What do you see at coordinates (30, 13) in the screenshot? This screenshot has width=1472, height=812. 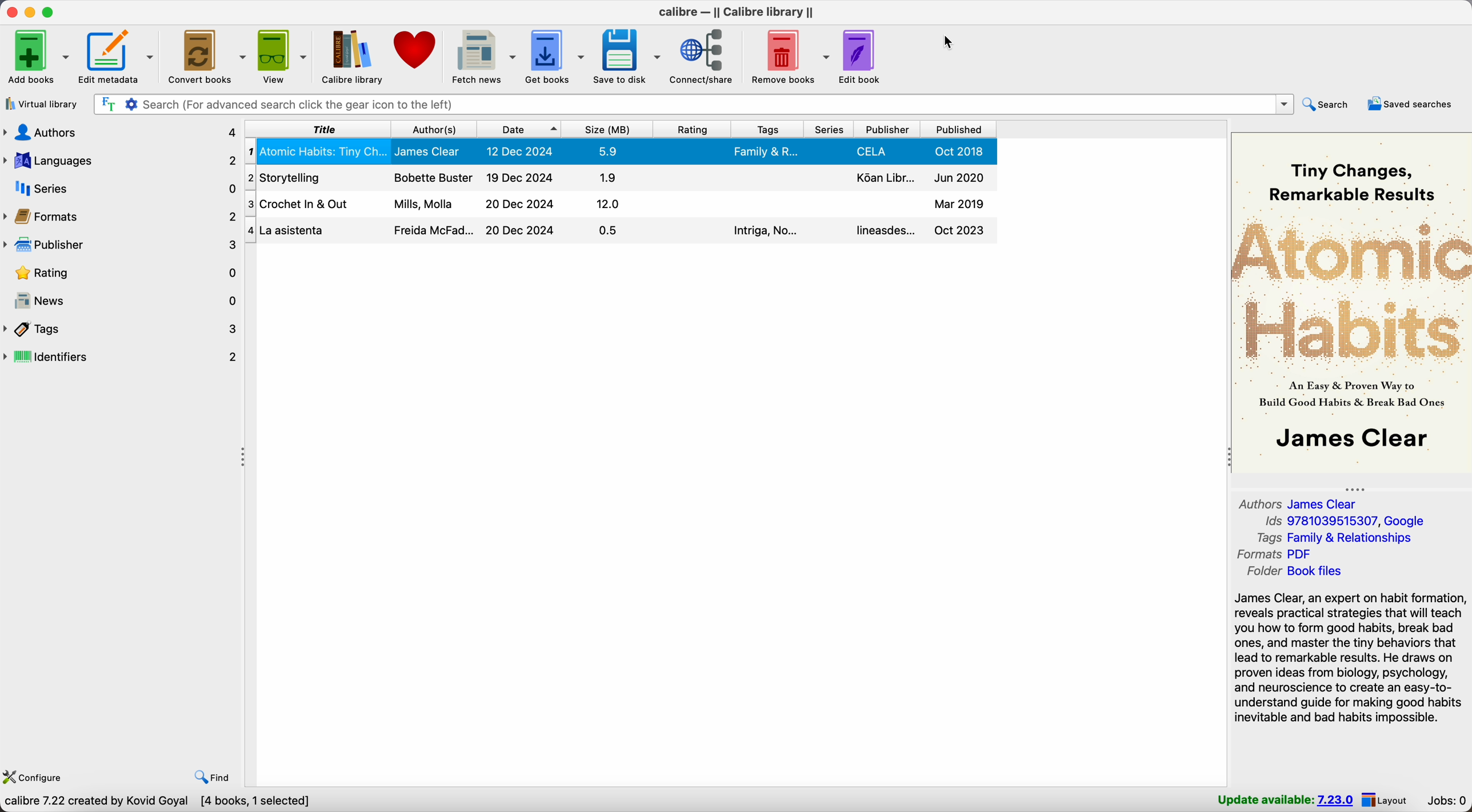 I see `minimize calibre` at bounding box center [30, 13].